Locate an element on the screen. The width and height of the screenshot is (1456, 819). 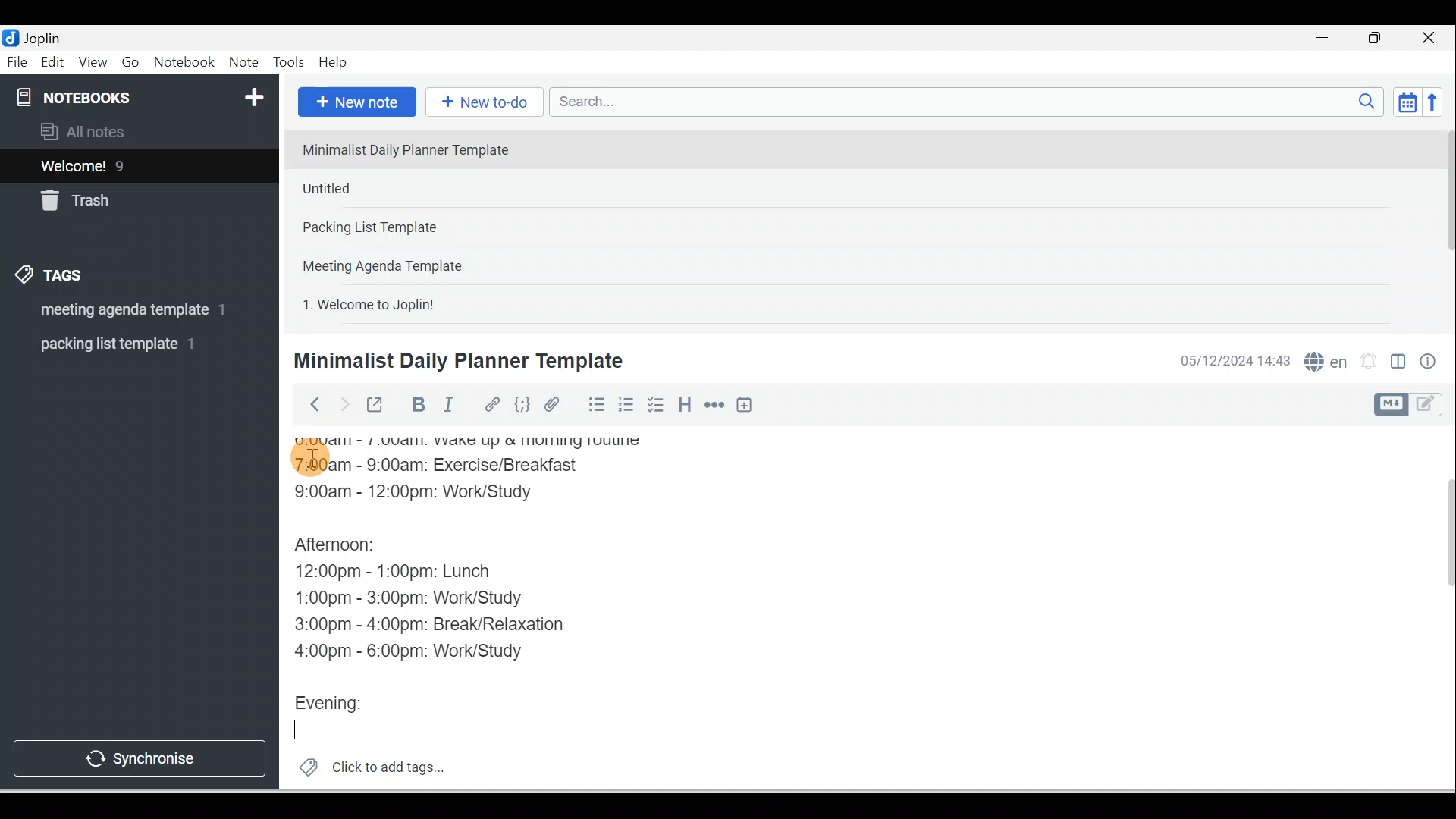
Notes is located at coordinates (128, 162).